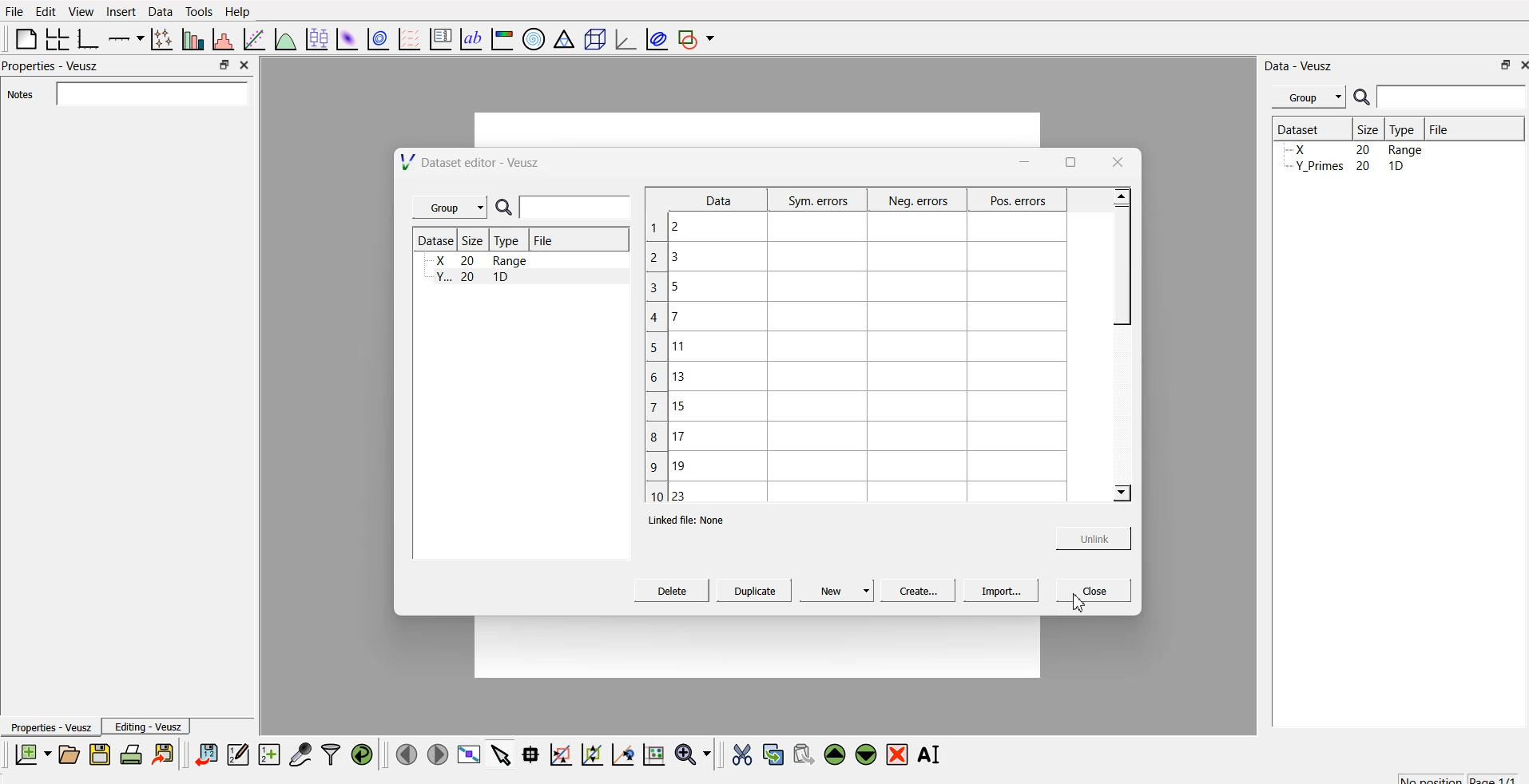 The height and width of the screenshot is (784, 1529). Describe the element at coordinates (1120, 259) in the screenshot. I see `scroll bar` at that location.